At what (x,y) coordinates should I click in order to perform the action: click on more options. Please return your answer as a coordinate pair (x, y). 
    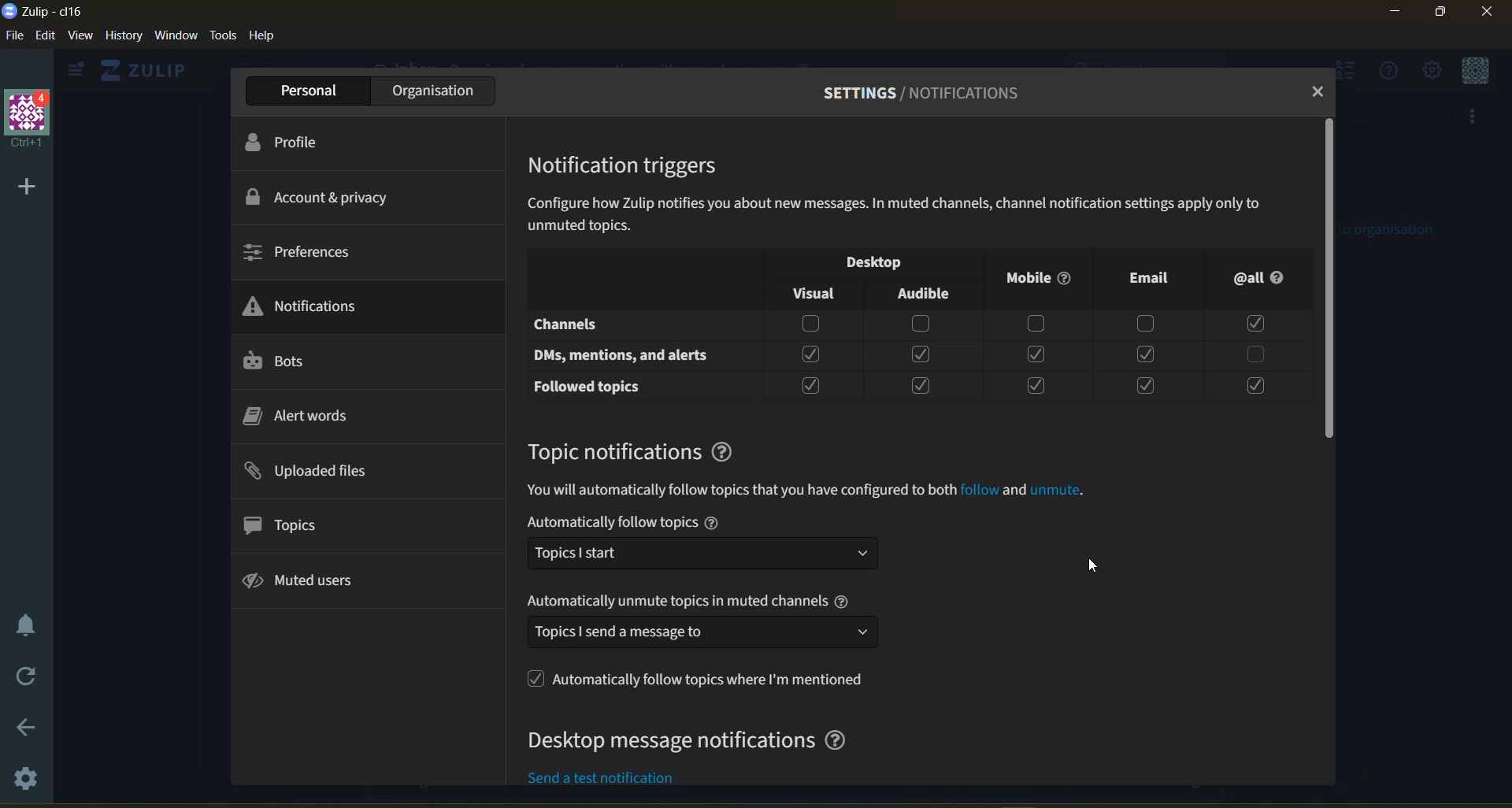
    Looking at the image, I should click on (1474, 117).